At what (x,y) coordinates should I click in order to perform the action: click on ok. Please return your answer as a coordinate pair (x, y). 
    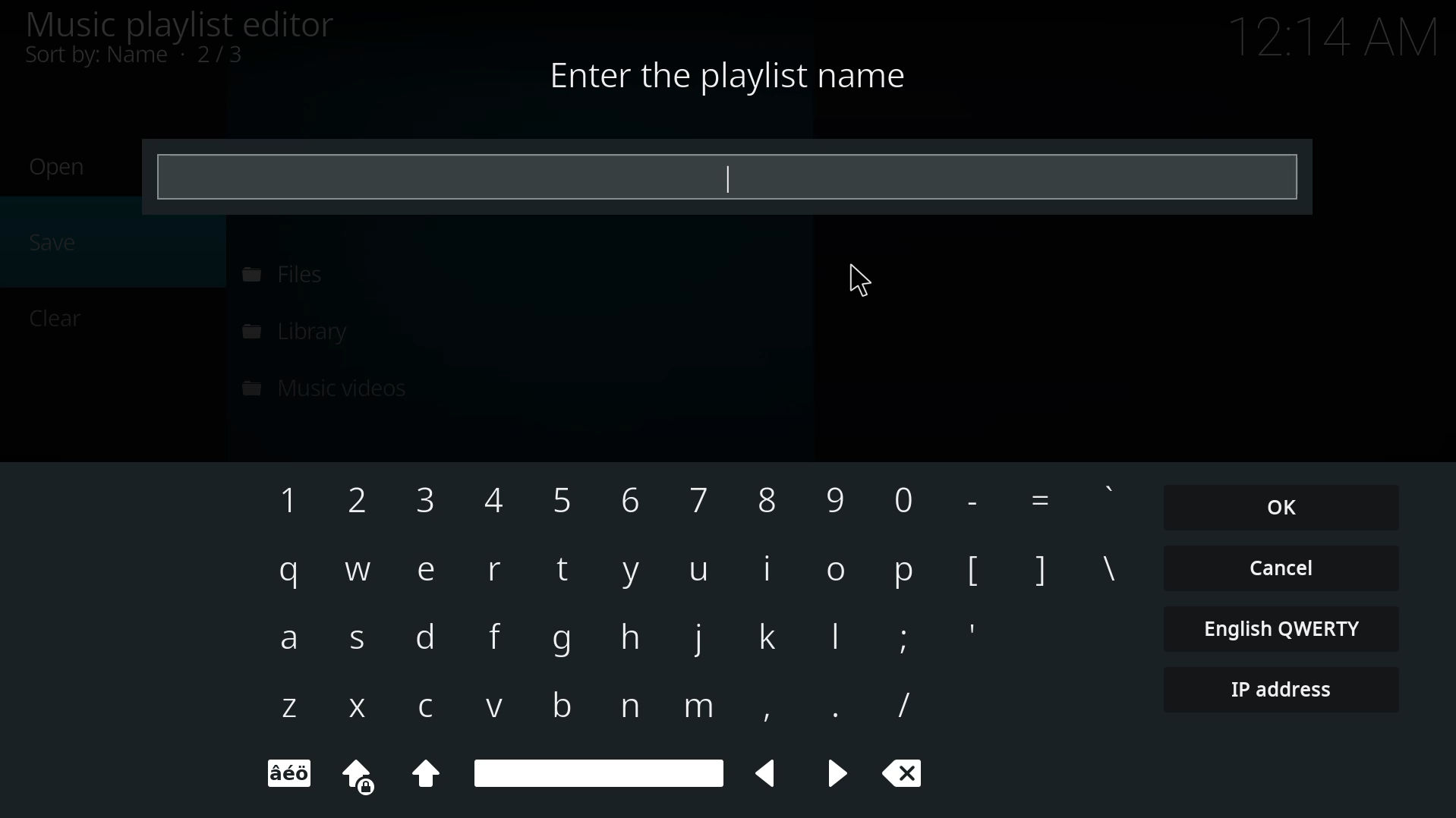
    Looking at the image, I should click on (1283, 507).